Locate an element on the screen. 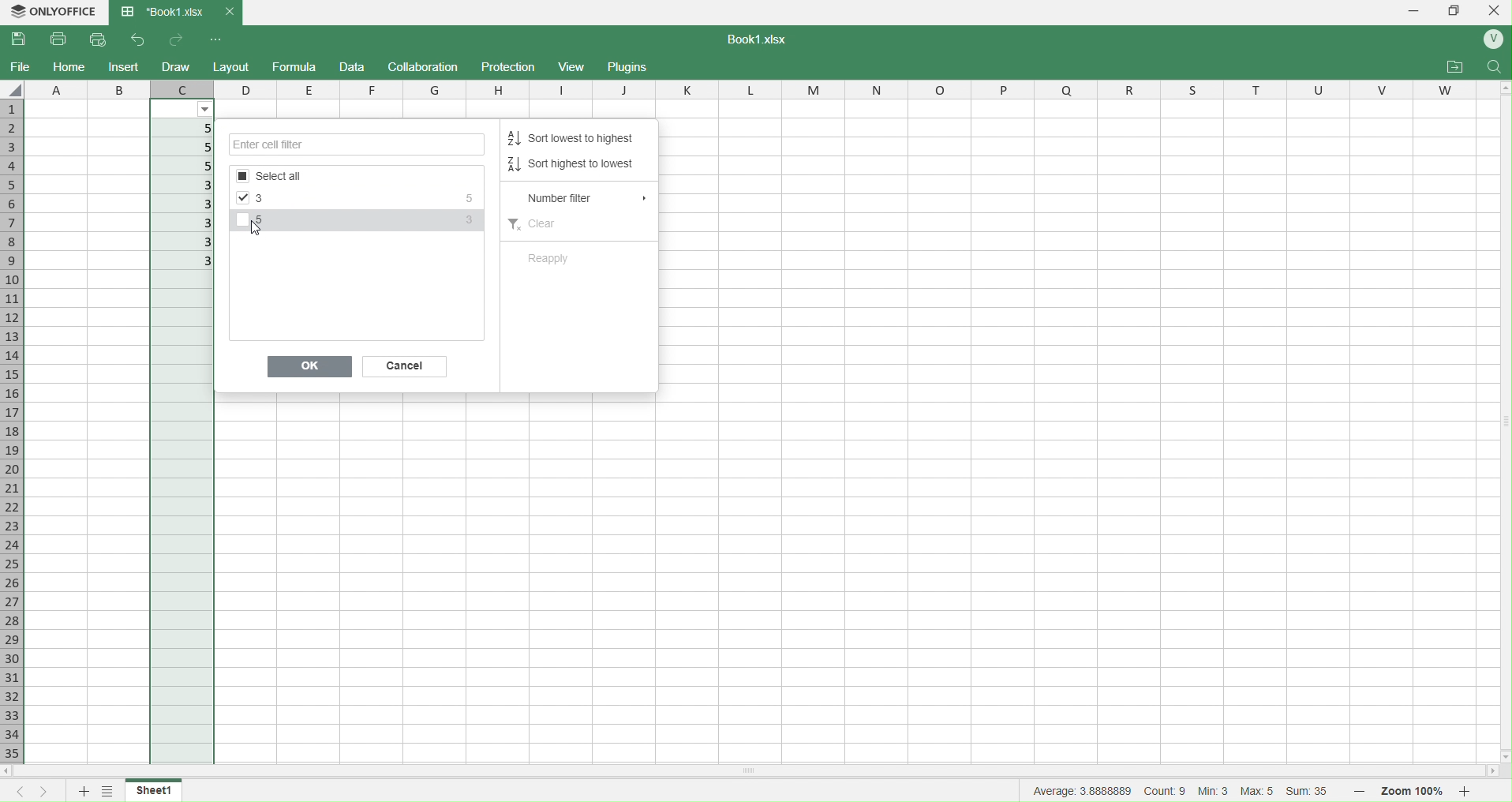  Protection is located at coordinates (510, 67).